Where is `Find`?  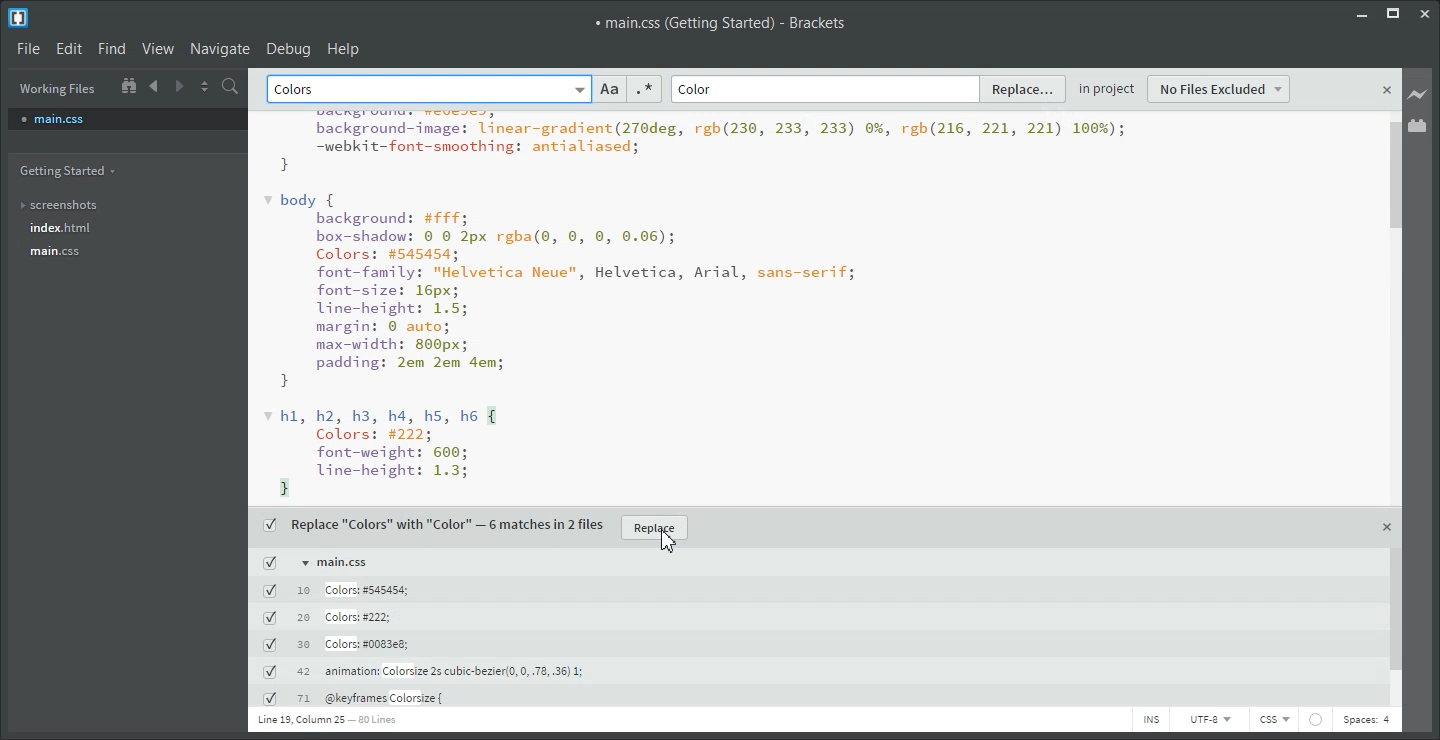
Find is located at coordinates (111, 49).